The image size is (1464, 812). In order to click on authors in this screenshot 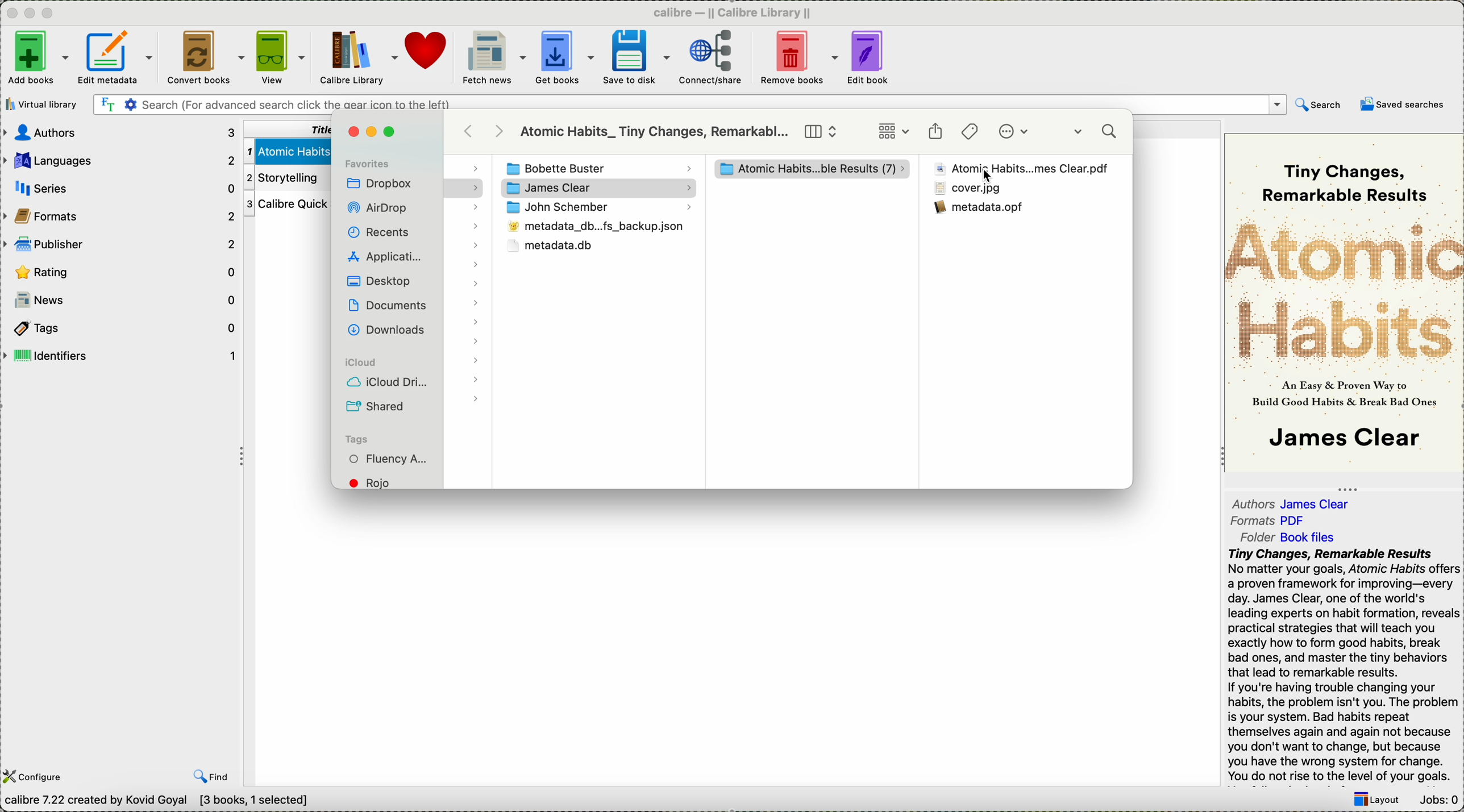, I will do `click(1294, 501)`.